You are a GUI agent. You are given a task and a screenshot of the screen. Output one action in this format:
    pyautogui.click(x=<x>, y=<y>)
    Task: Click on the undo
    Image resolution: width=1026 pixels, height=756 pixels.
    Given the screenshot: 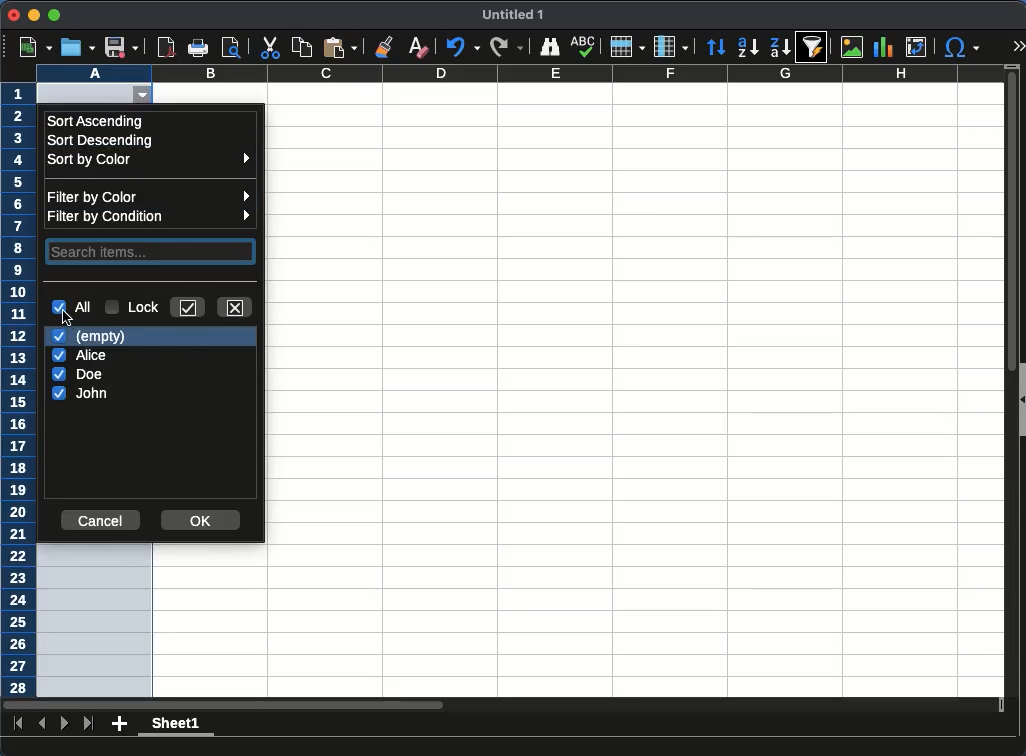 What is the action you would take?
    pyautogui.click(x=461, y=48)
    